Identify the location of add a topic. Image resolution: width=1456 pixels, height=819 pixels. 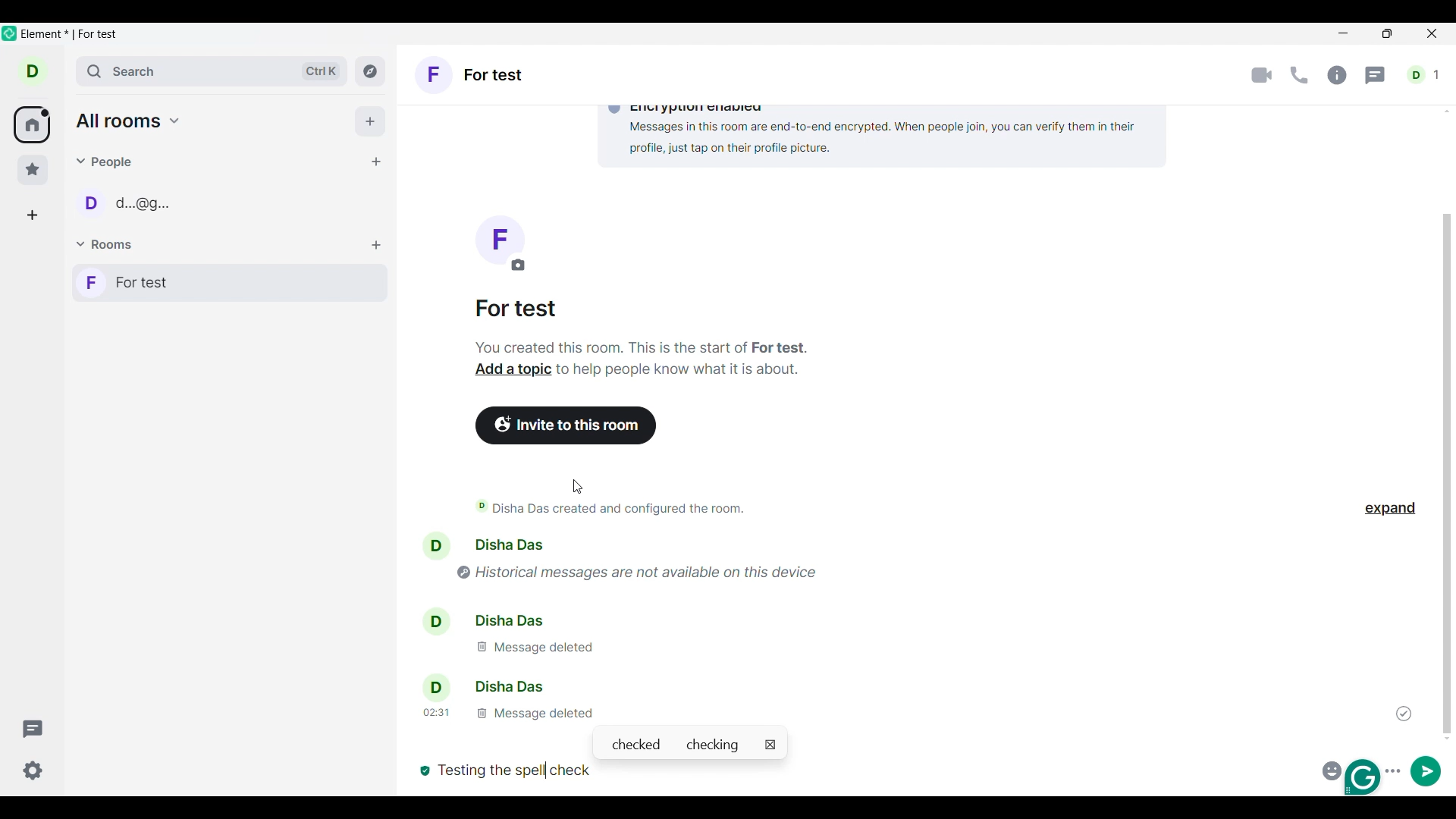
(507, 372).